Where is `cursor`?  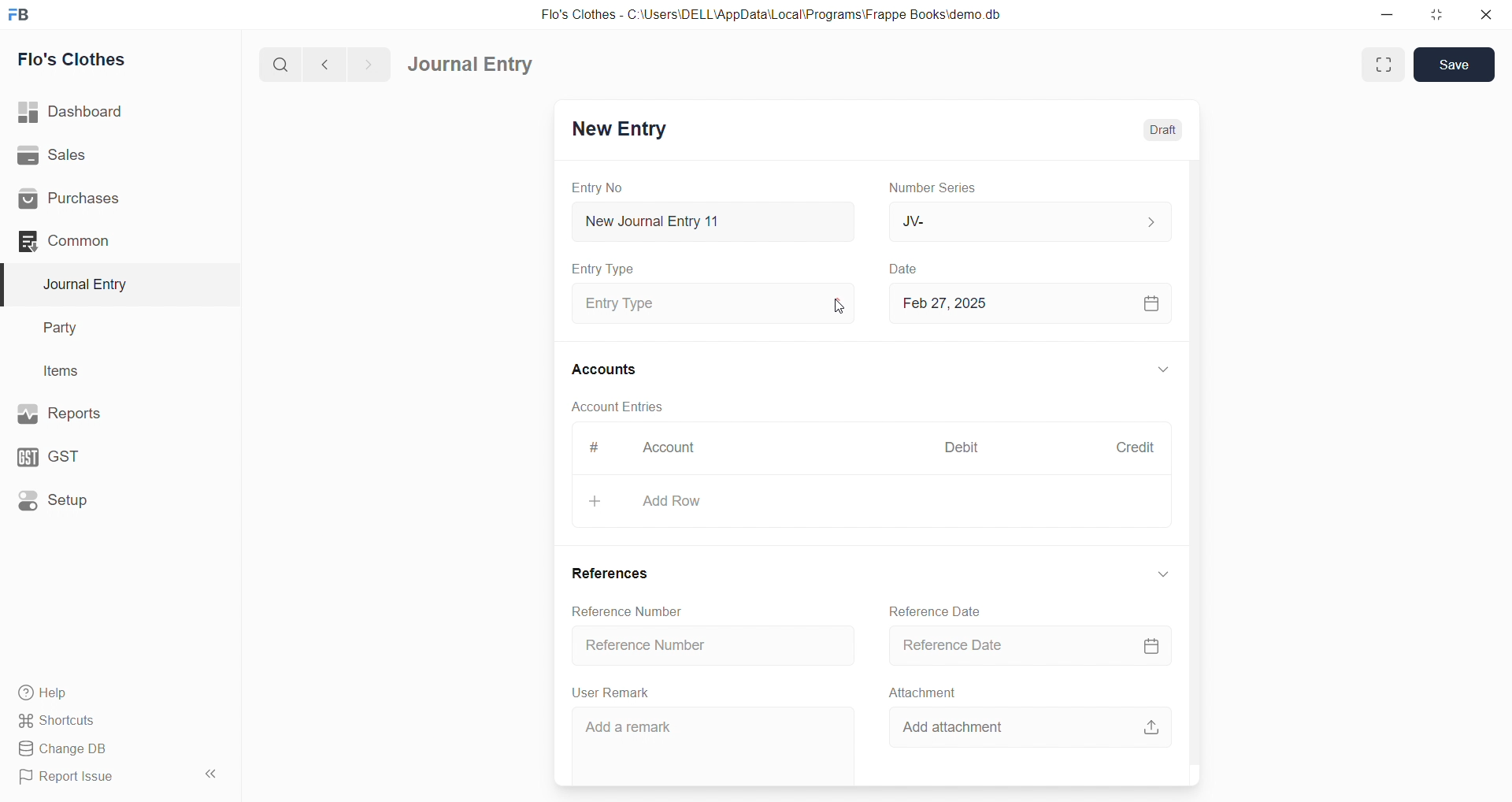 cursor is located at coordinates (836, 310).